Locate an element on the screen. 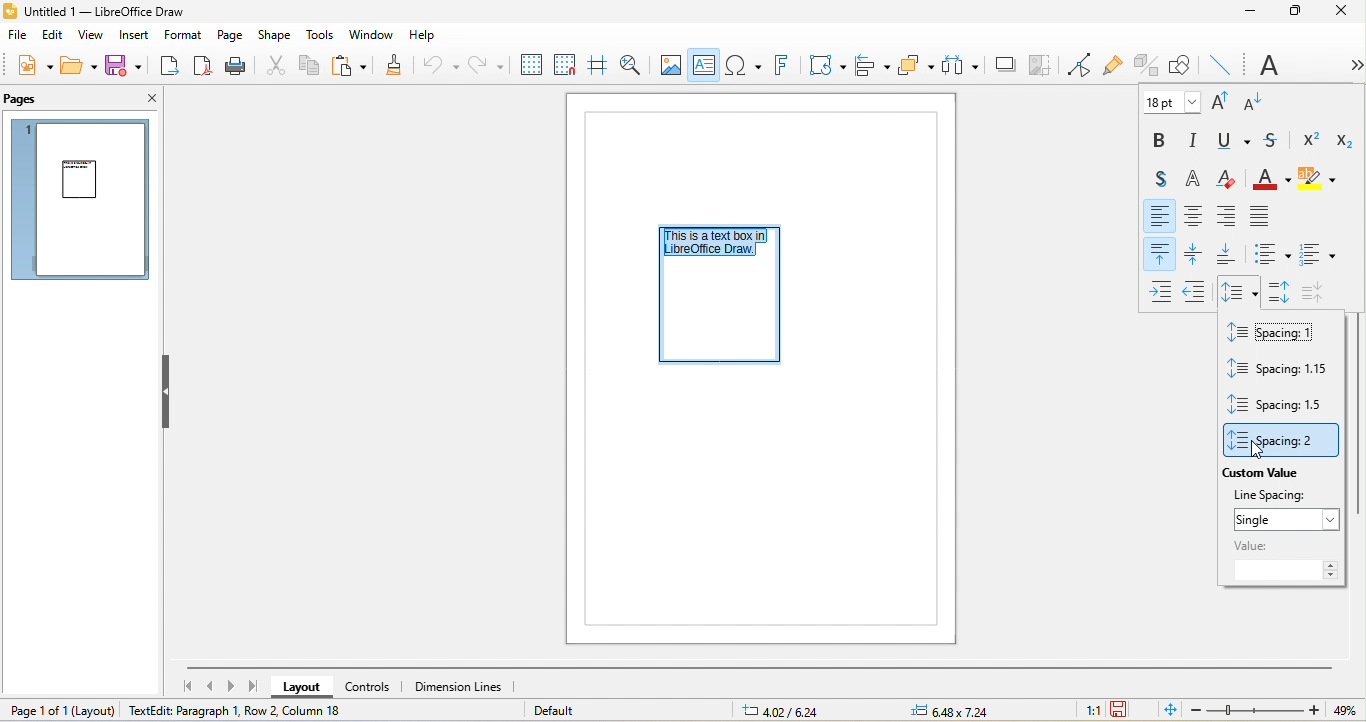 The height and width of the screenshot is (722, 1366). line spacing is located at coordinates (1282, 496).